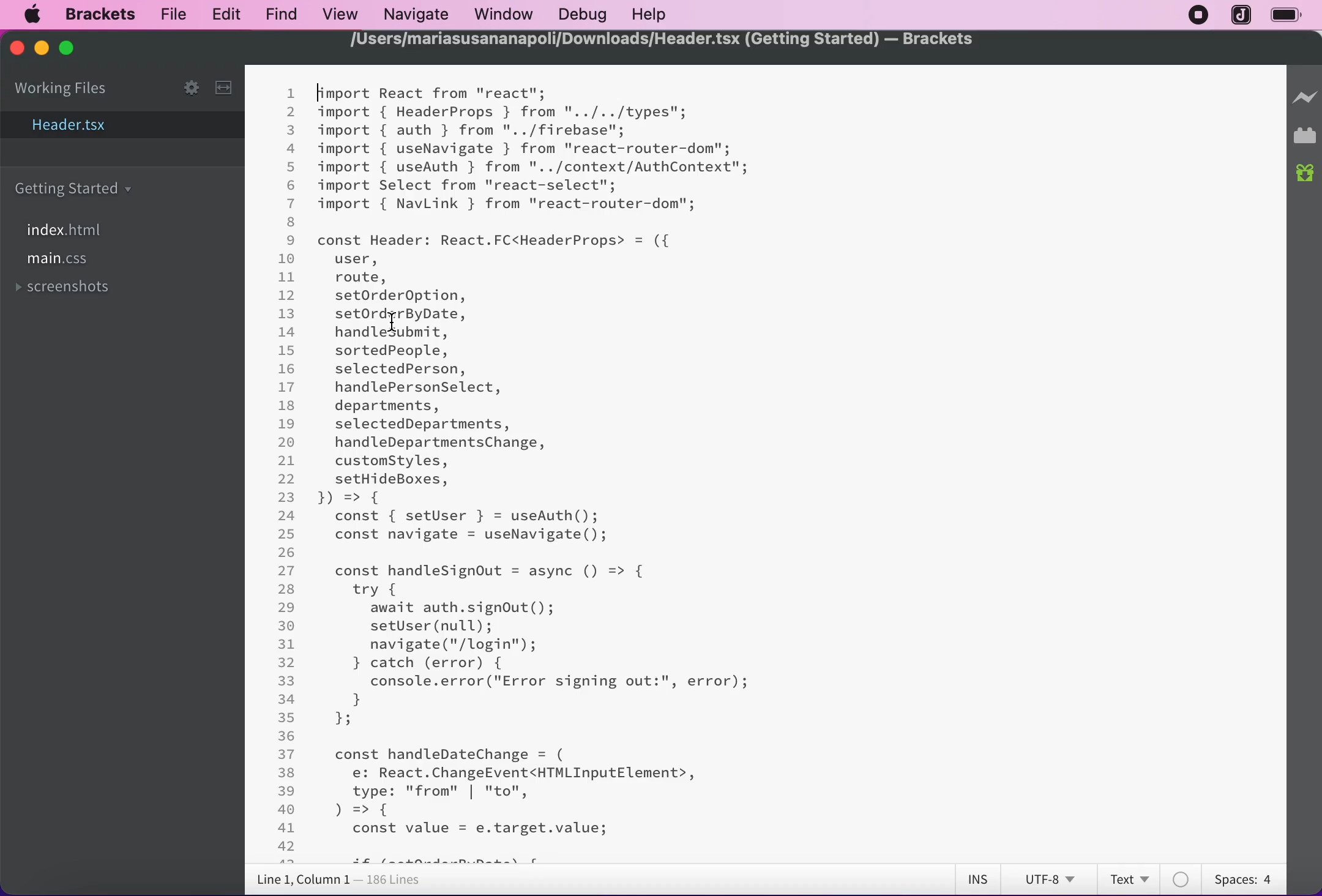 This screenshot has height=896, width=1322. I want to click on maximize app, so click(68, 49).